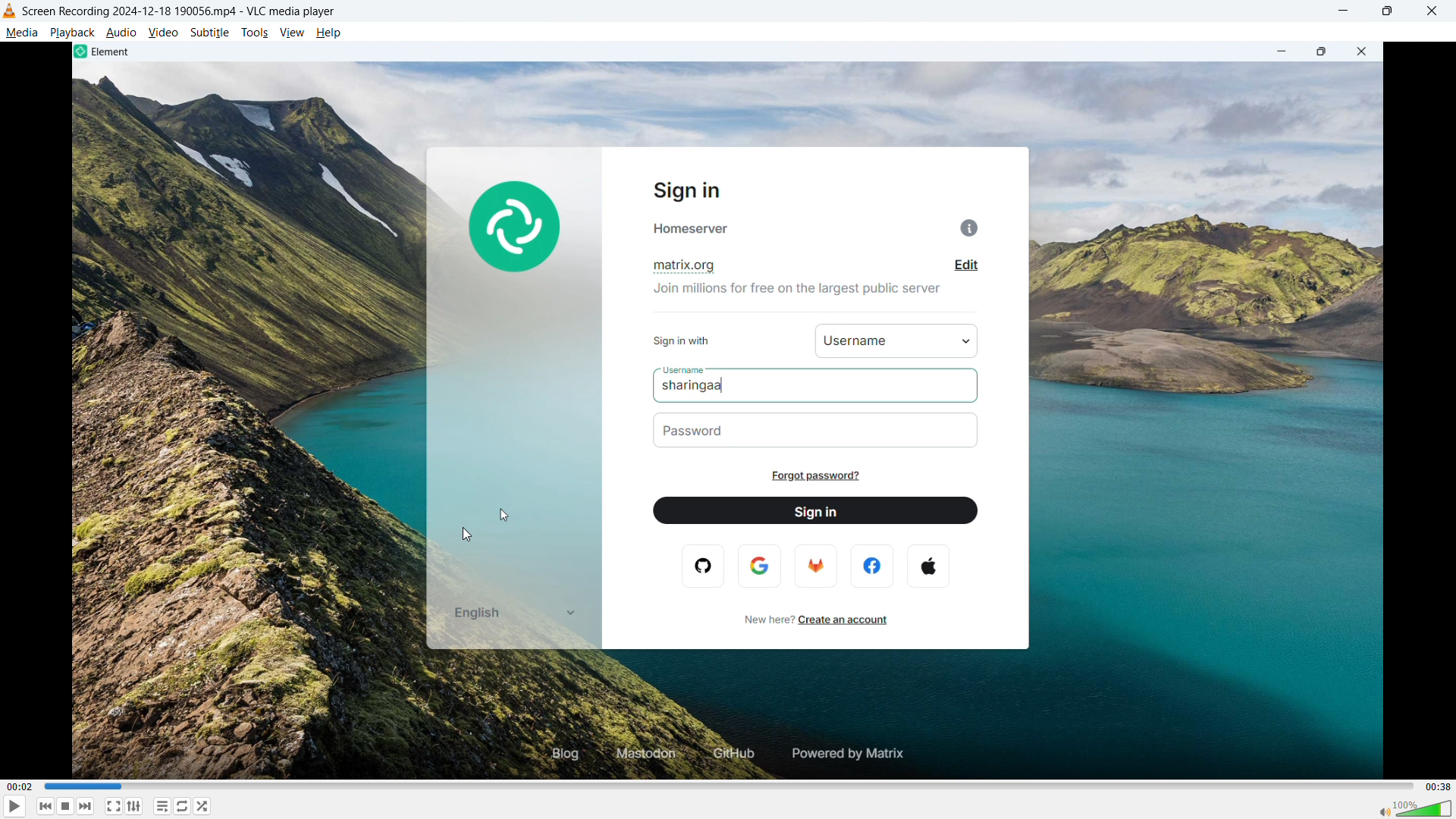  What do you see at coordinates (761, 565) in the screenshot?
I see `google` at bounding box center [761, 565].